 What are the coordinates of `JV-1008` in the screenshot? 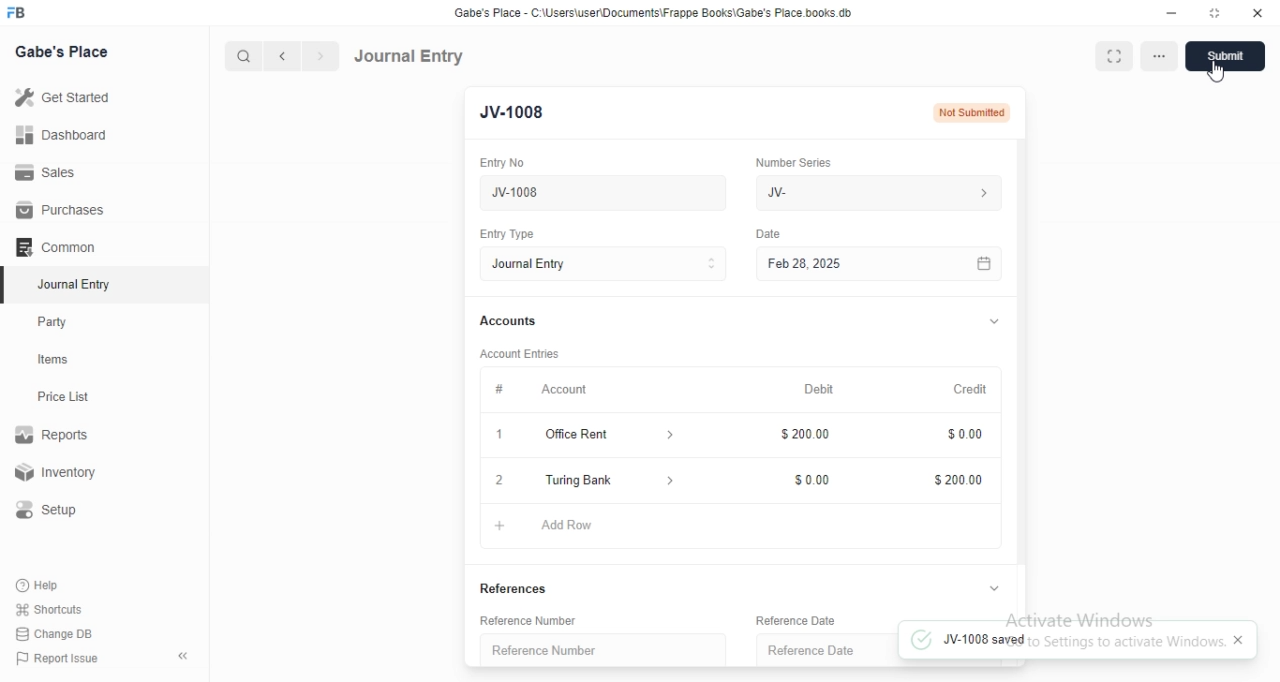 It's located at (510, 113).